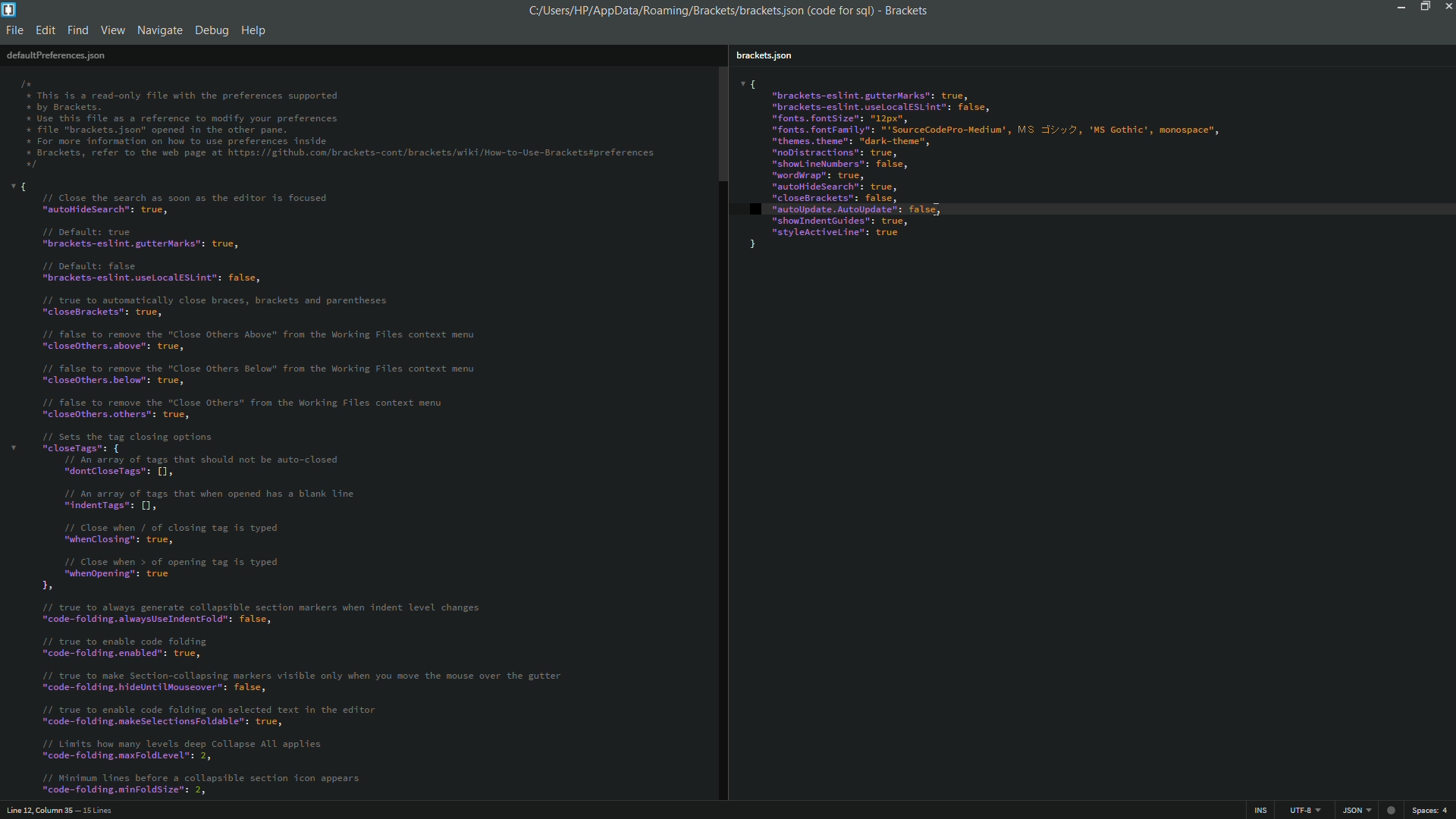 The image size is (1456, 819). I want to click on JSON, so click(1354, 810).